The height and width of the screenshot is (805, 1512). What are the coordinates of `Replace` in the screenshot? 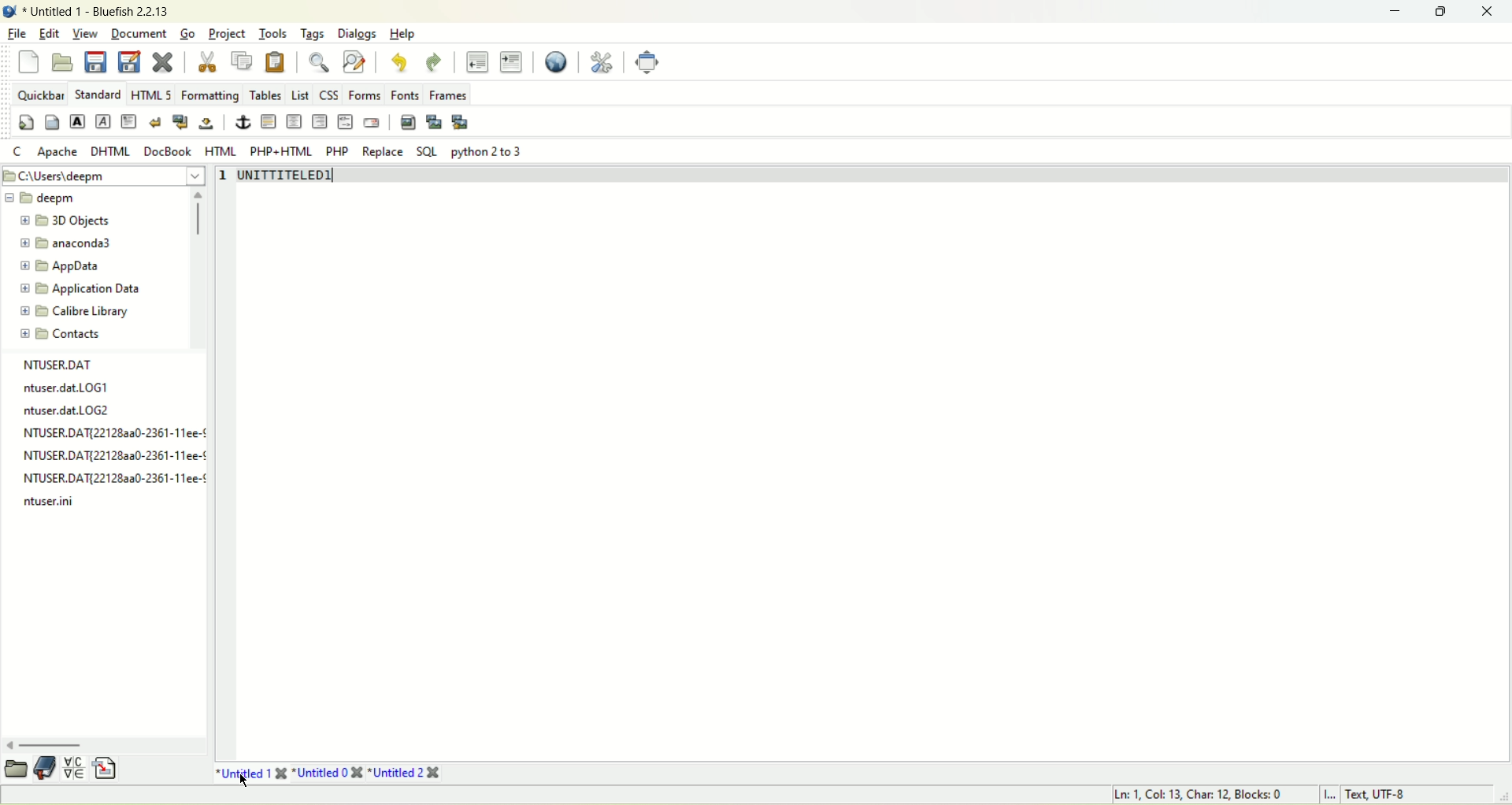 It's located at (383, 152).